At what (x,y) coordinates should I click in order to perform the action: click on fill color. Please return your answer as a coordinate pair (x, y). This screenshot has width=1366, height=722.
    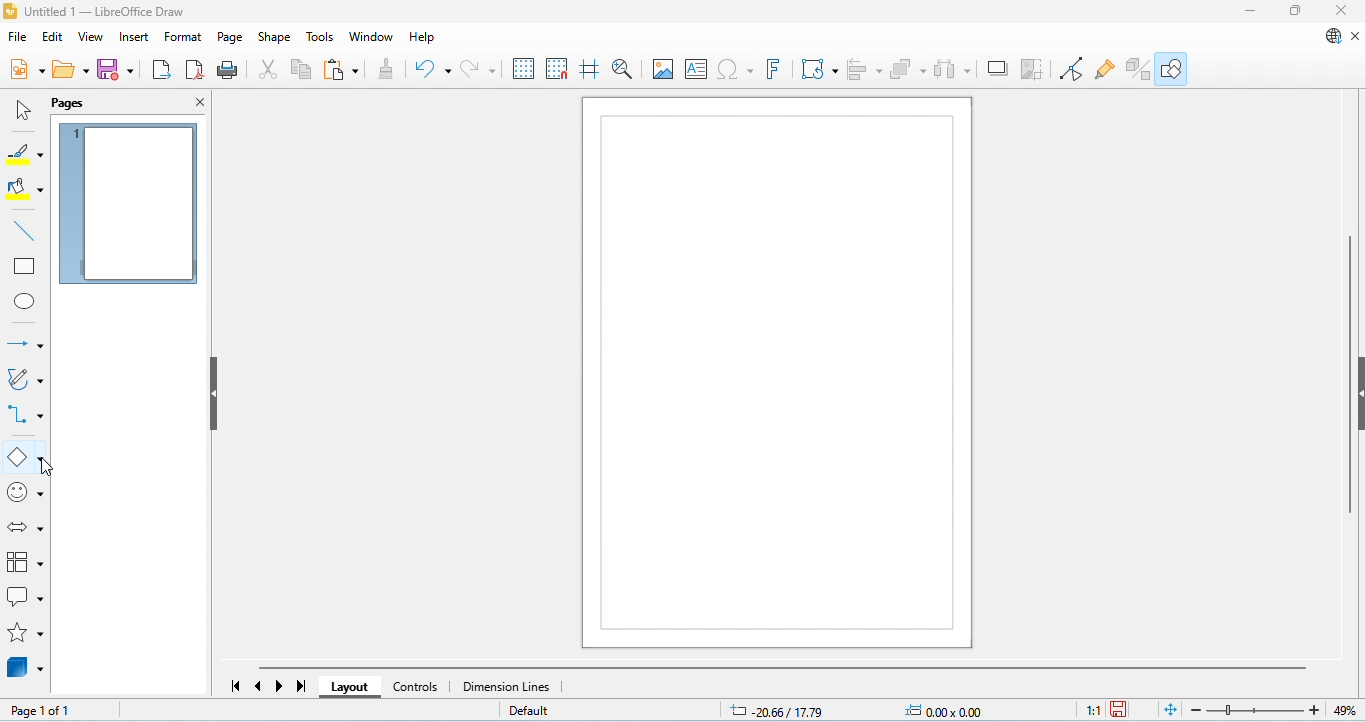
    Looking at the image, I should click on (24, 190).